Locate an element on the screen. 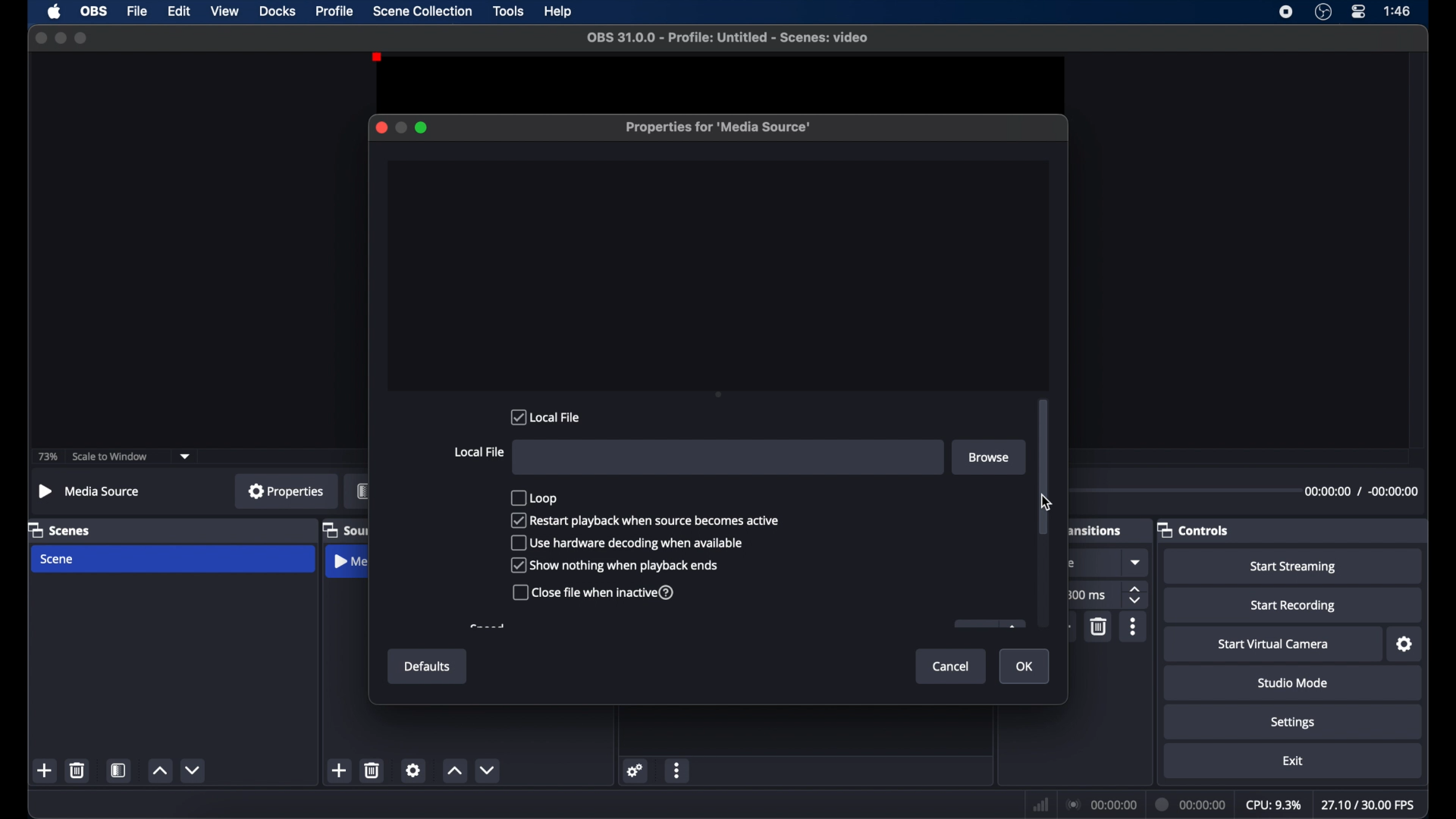 The width and height of the screenshot is (1456, 819). controls is located at coordinates (1192, 531).